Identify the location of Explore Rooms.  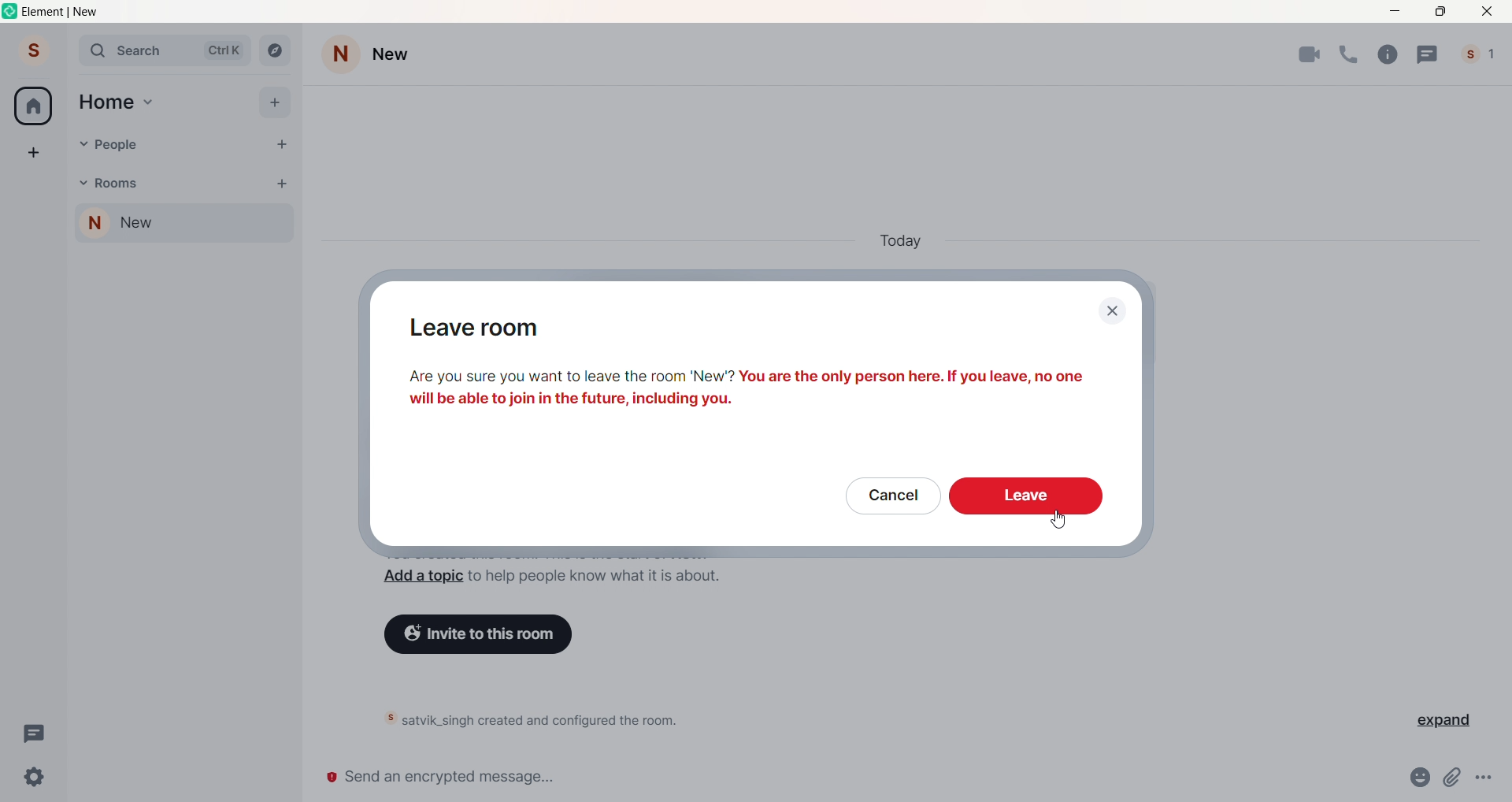
(274, 50).